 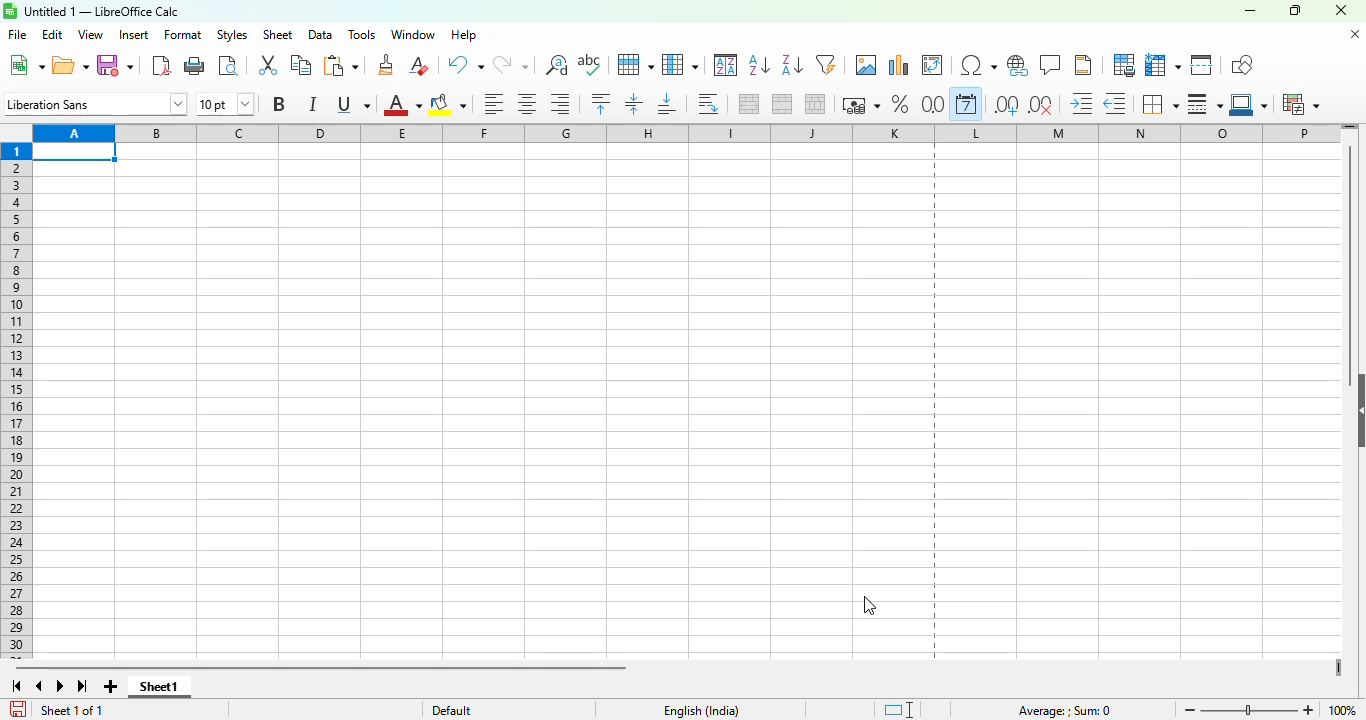 What do you see at coordinates (1124, 65) in the screenshot?
I see `define print area` at bounding box center [1124, 65].